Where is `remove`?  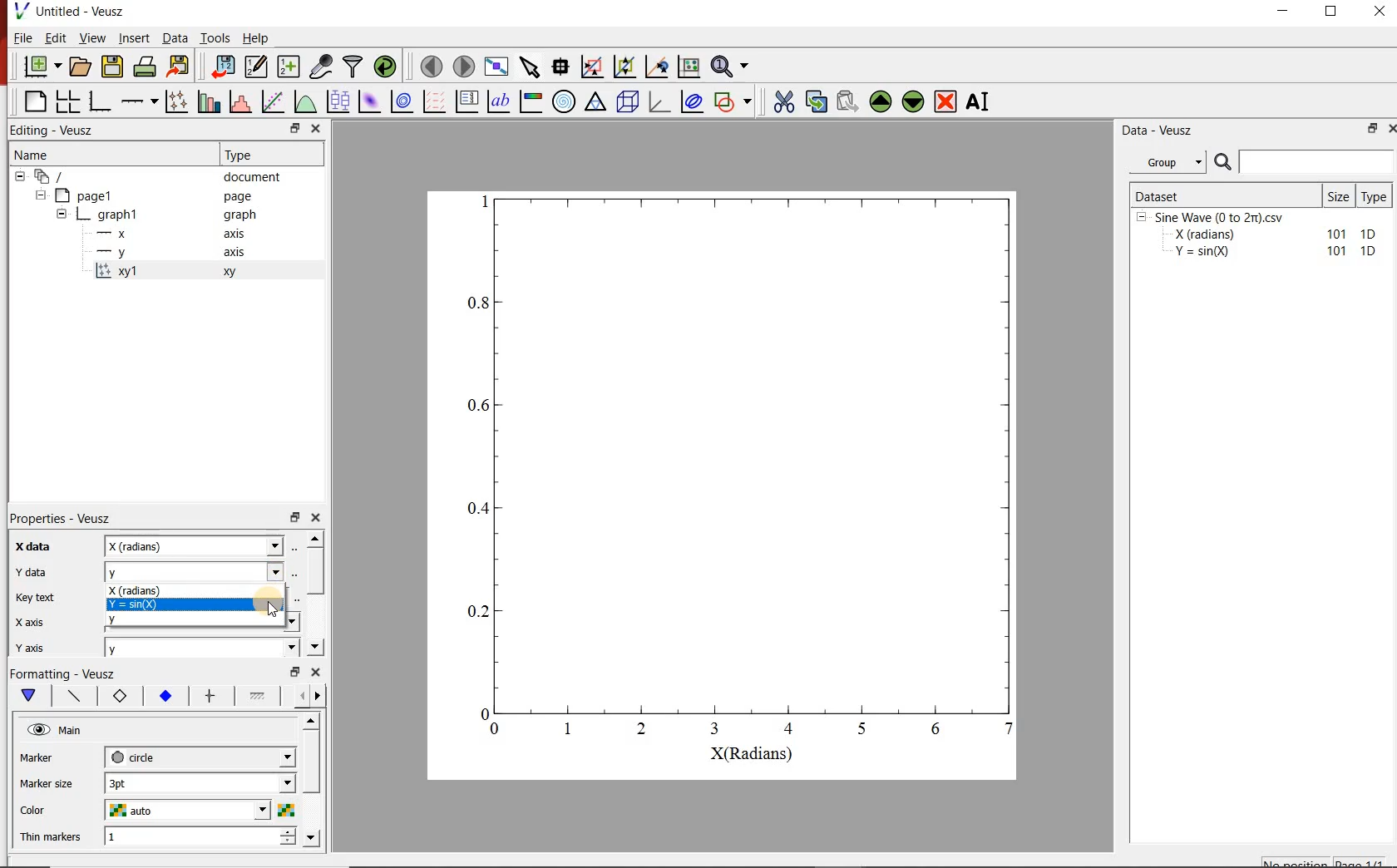
remove is located at coordinates (945, 101).